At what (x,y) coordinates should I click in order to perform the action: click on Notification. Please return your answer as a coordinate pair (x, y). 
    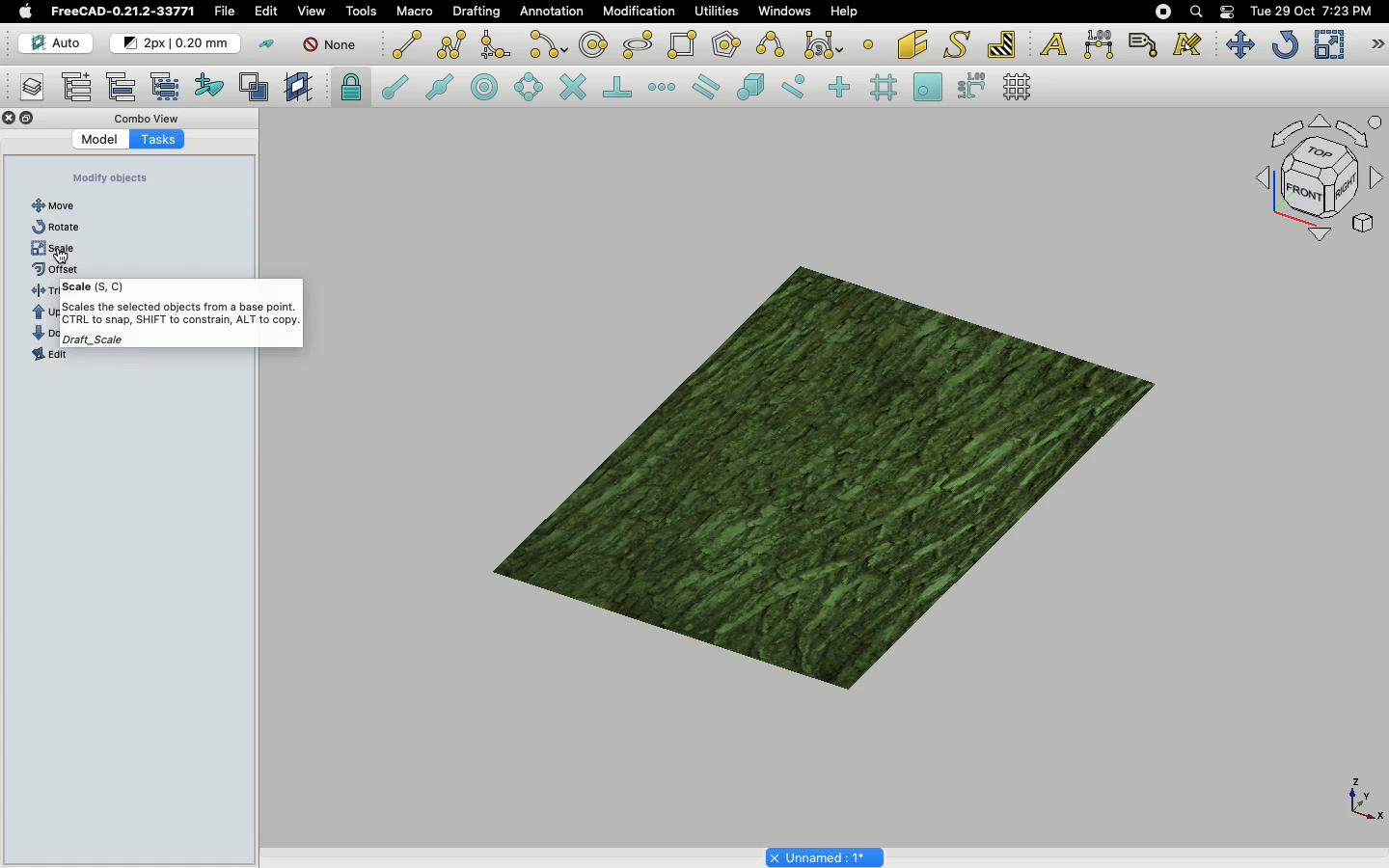
    Looking at the image, I should click on (1228, 11).